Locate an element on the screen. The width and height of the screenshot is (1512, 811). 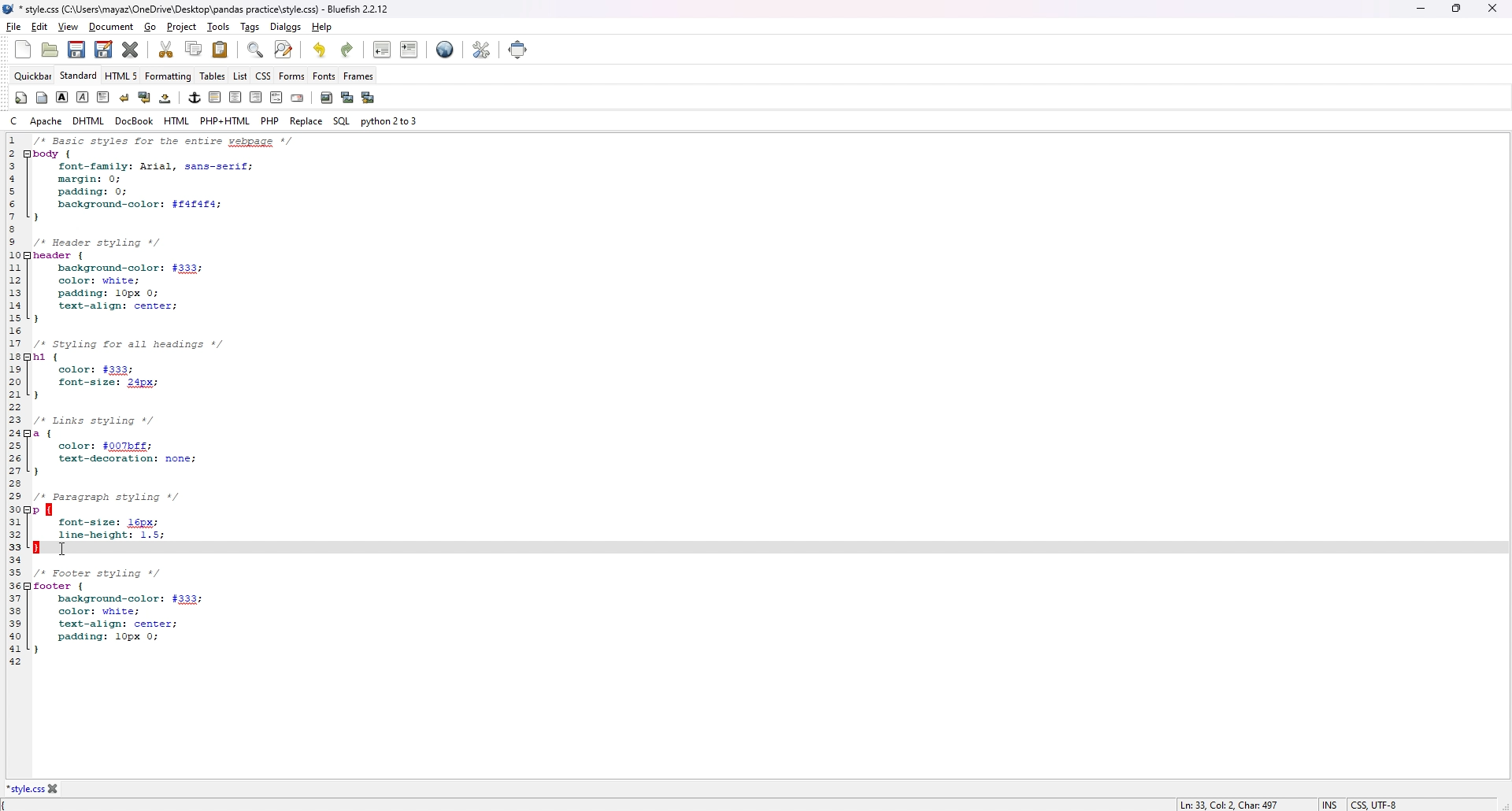
*style.css (C:\Users\mayaz\OneDrive\Desktop\pandas practice\style.css) - Bluefish 2.2.12 is located at coordinates (208, 8).